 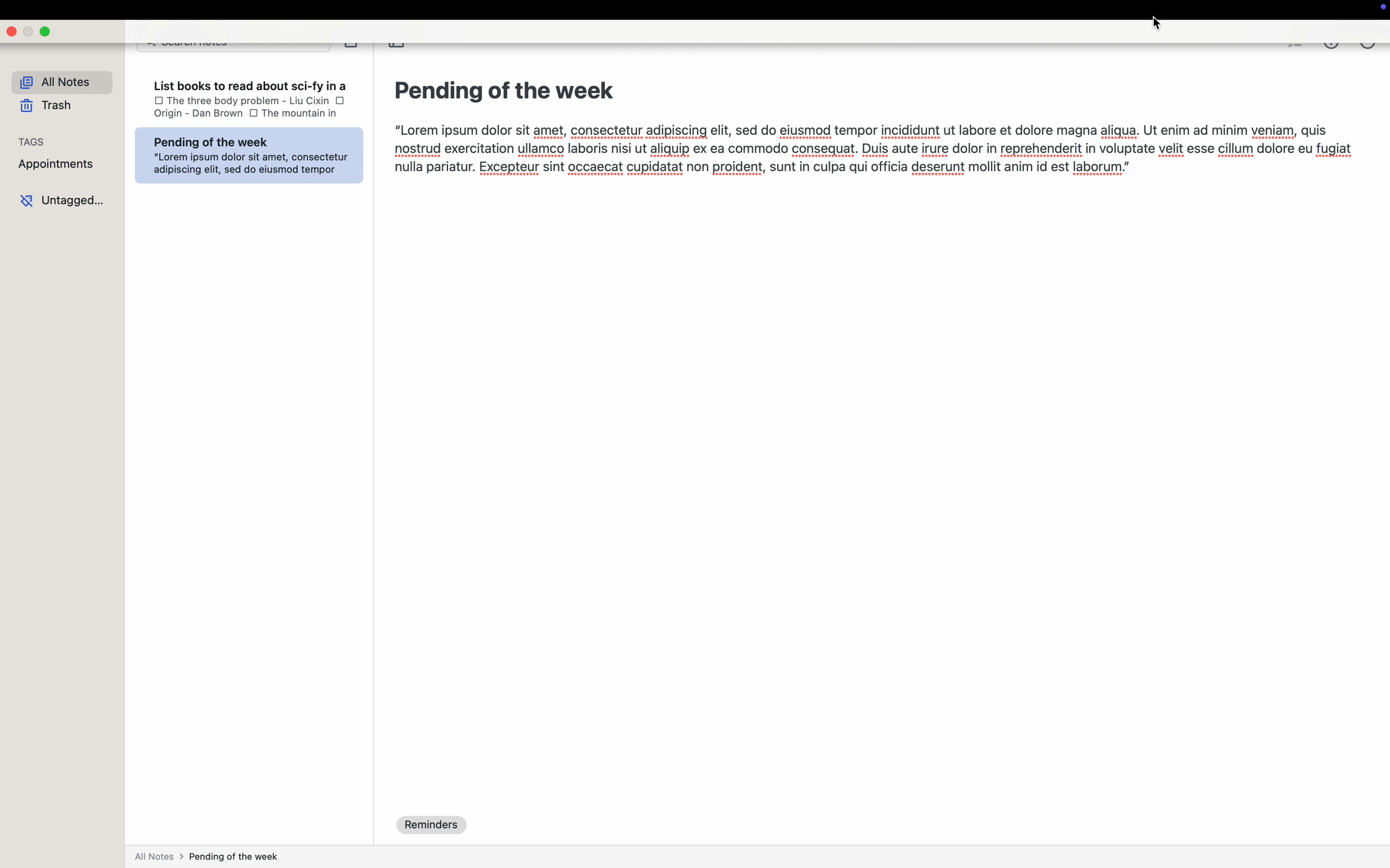 What do you see at coordinates (865, 162) in the screenshot?
I see `“Lorem ipsum dolor sit amet, consectetur adipiscing elit, sed do eiusmod tempor incididunt ut labore et dolore magna aligua. Ut enim ad minim veniam, quis
nostrud exercitation ullamco laboris nisi ut aliquip ex ea commodo consequat. Duis aute irure dolor in reprehenderit in voluptate velit esse cillum dolore eu fugiat
nulla pariatur. Excepteur sint occaecat cupidatat non proident, sunt in culpa qui officia deserunt mollit anim id est laborum.”` at bounding box center [865, 162].